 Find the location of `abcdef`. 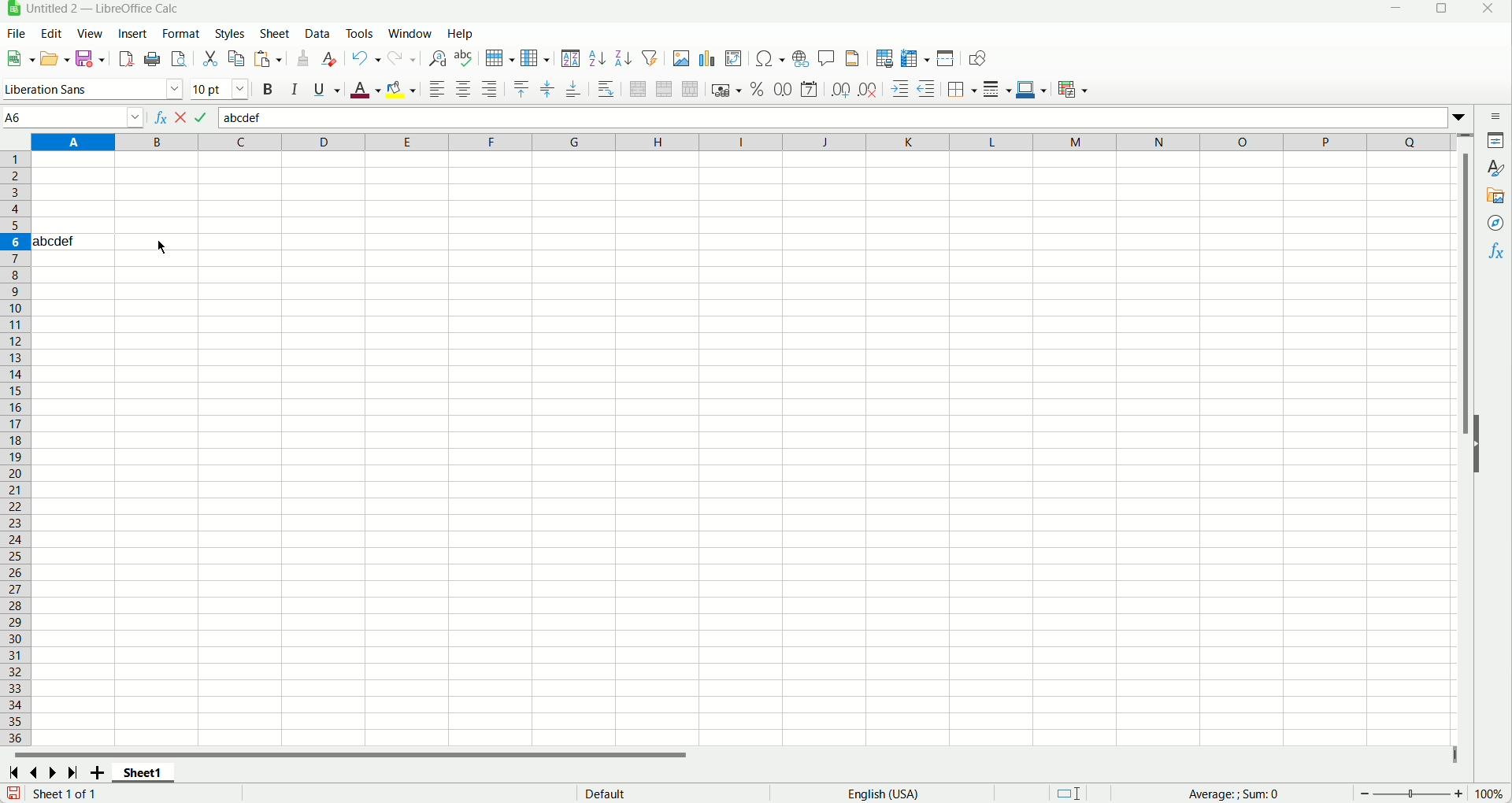

abcdef is located at coordinates (54, 241).